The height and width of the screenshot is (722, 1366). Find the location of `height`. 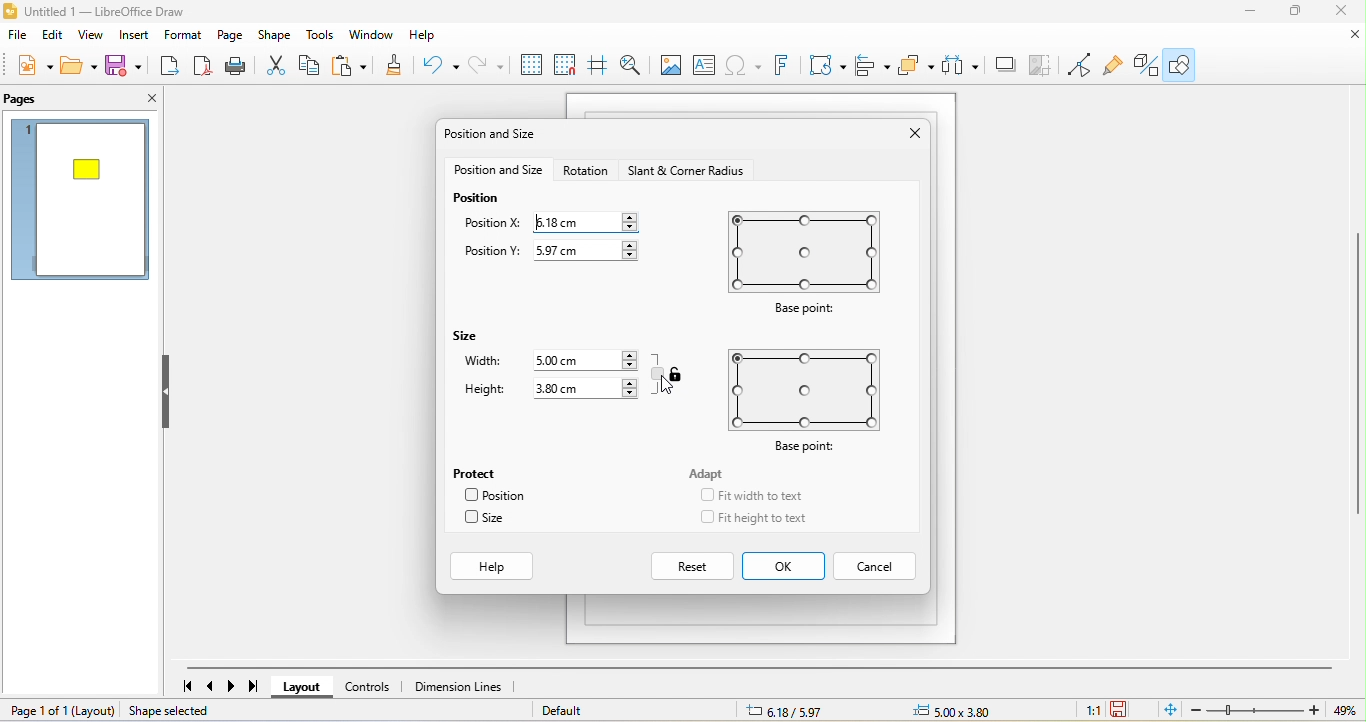

height is located at coordinates (484, 390).